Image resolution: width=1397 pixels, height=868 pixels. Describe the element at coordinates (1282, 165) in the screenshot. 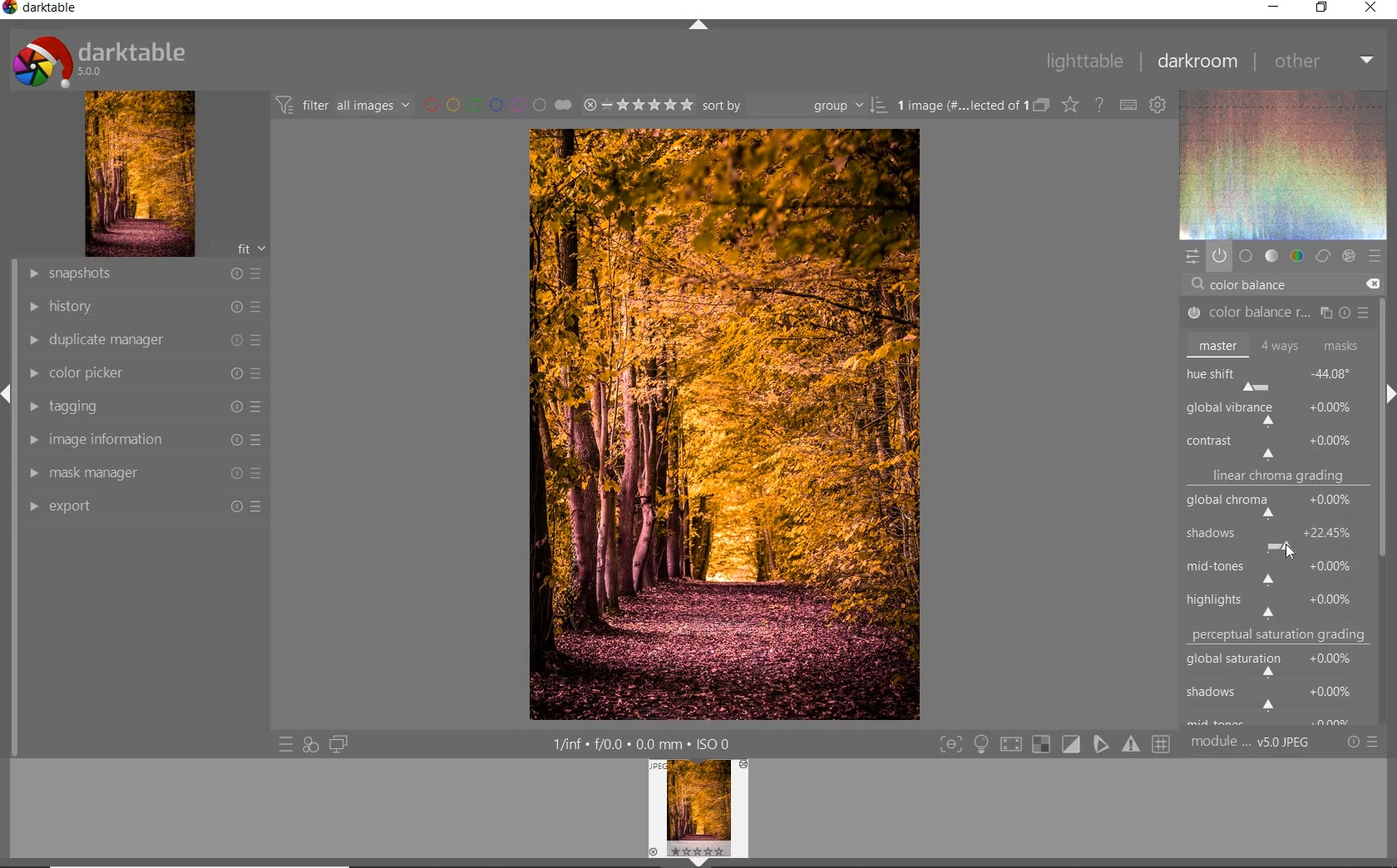

I see `wave form` at that location.